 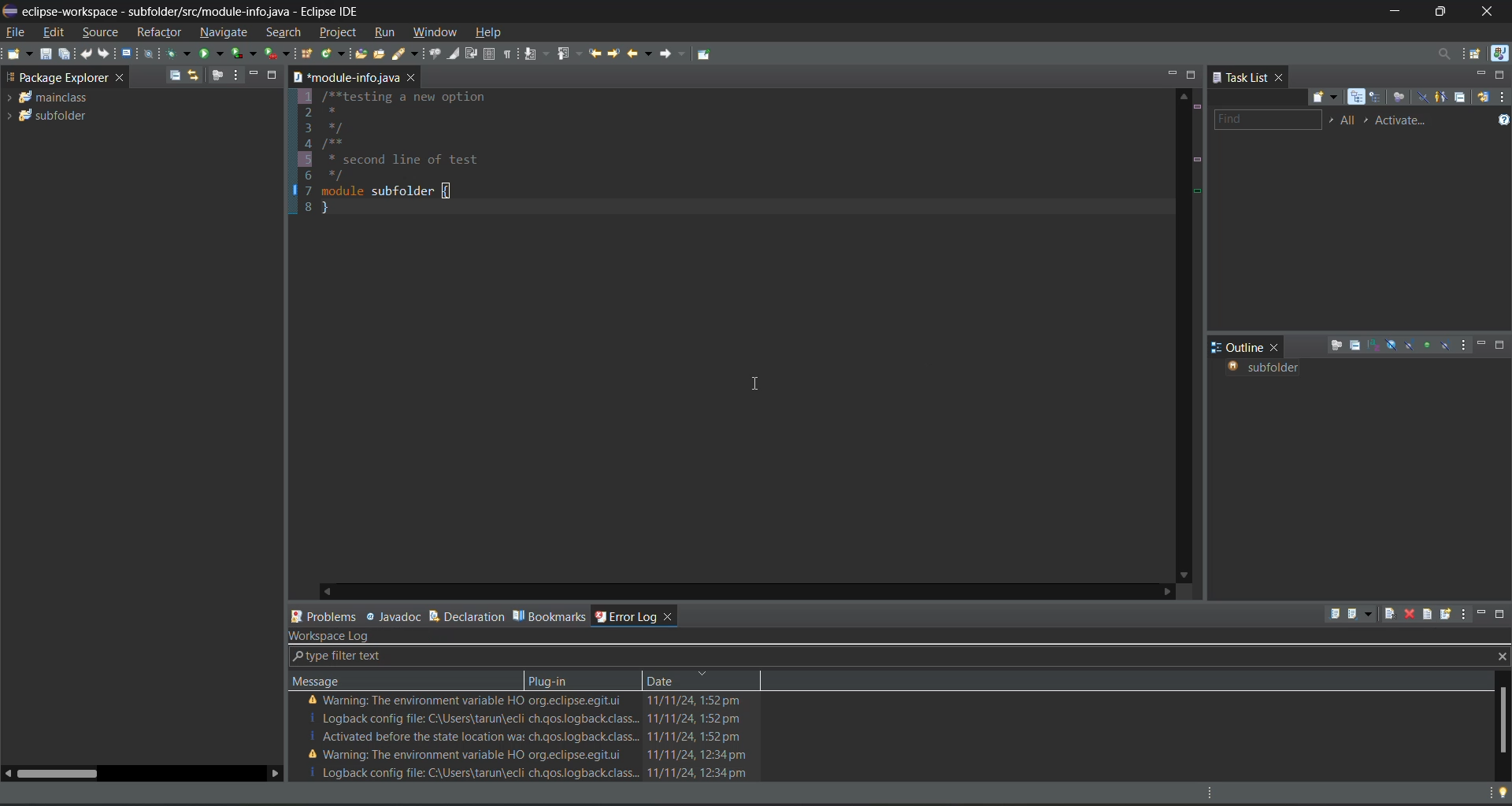 I want to click on focus on work week, so click(x=1401, y=98).